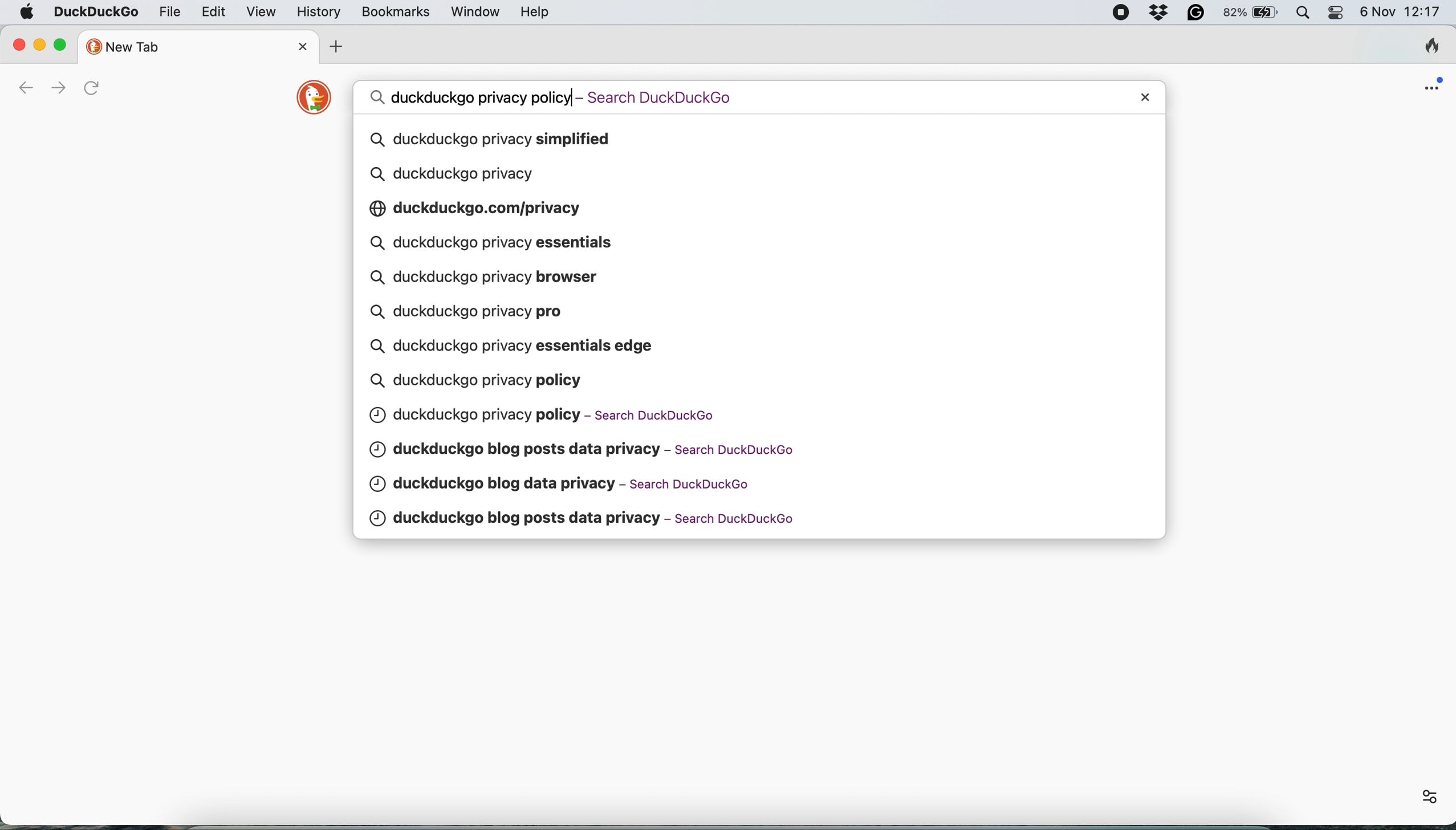  What do you see at coordinates (335, 47) in the screenshot?
I see `add new tab` at bounding box center [335, 47].